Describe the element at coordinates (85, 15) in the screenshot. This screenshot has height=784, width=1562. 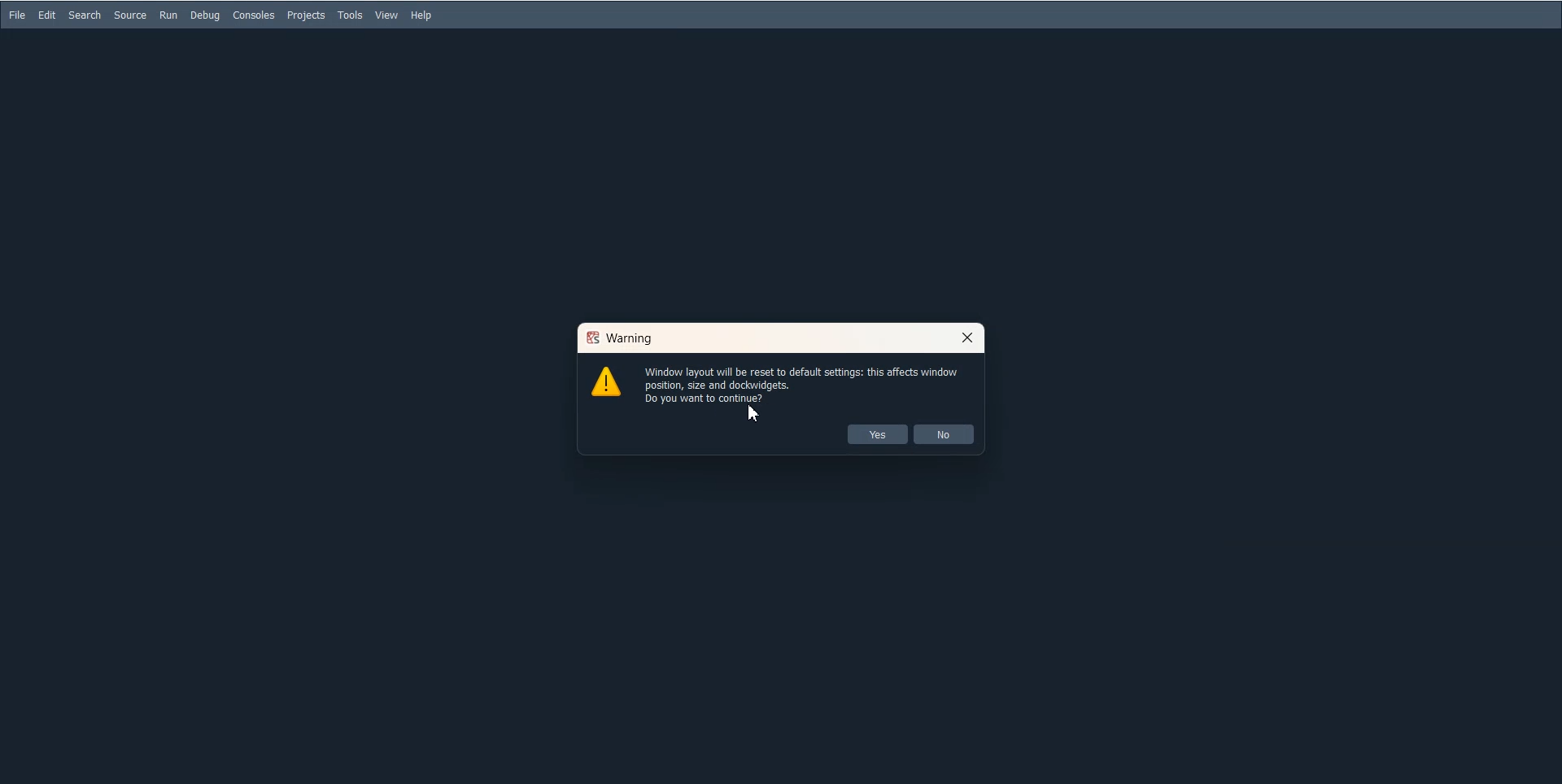
I see `Search` at that location.